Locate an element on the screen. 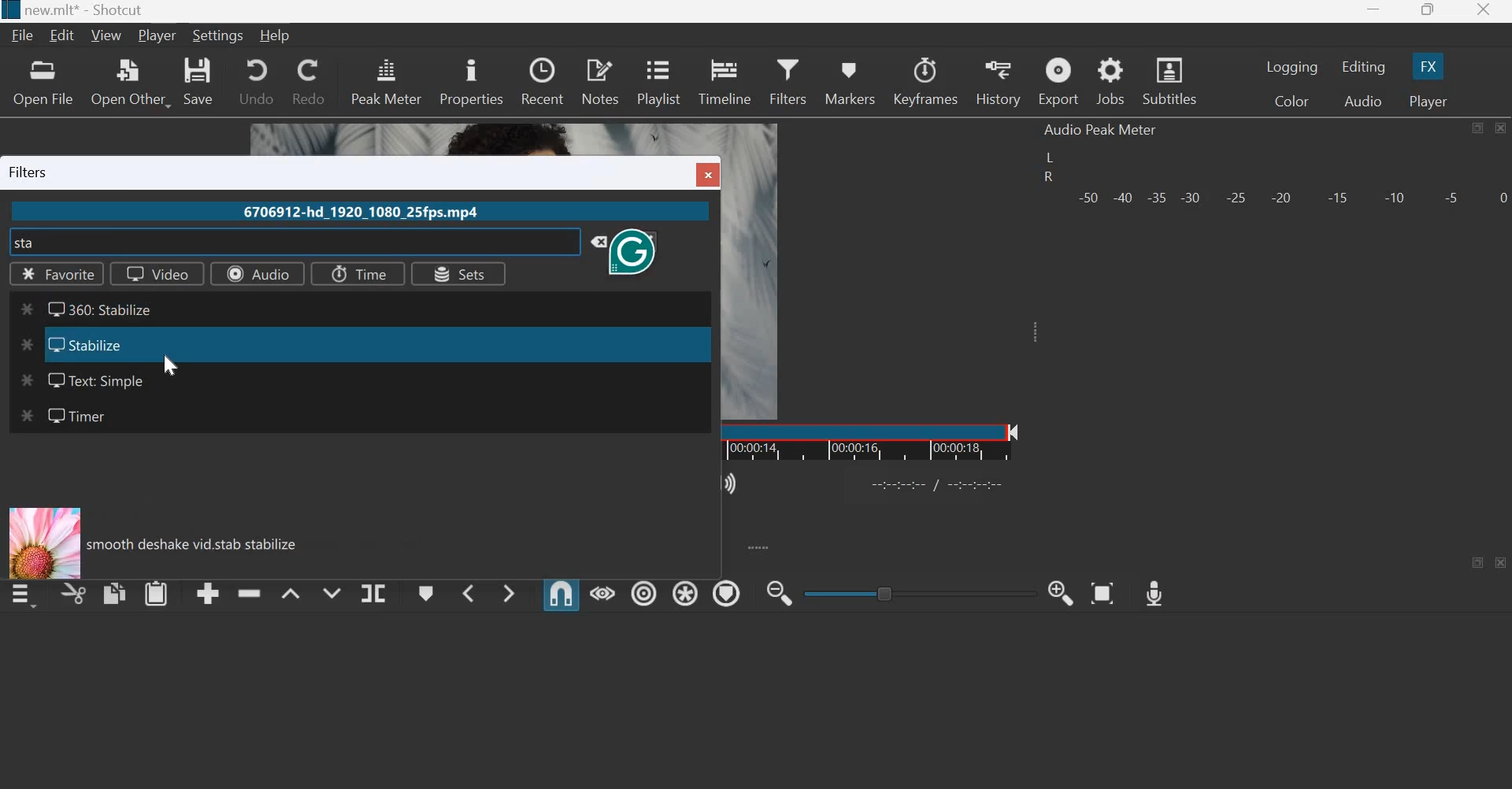 The width and height of the screenshot is (1512, 789). Help is located at coordinates (276, 37).